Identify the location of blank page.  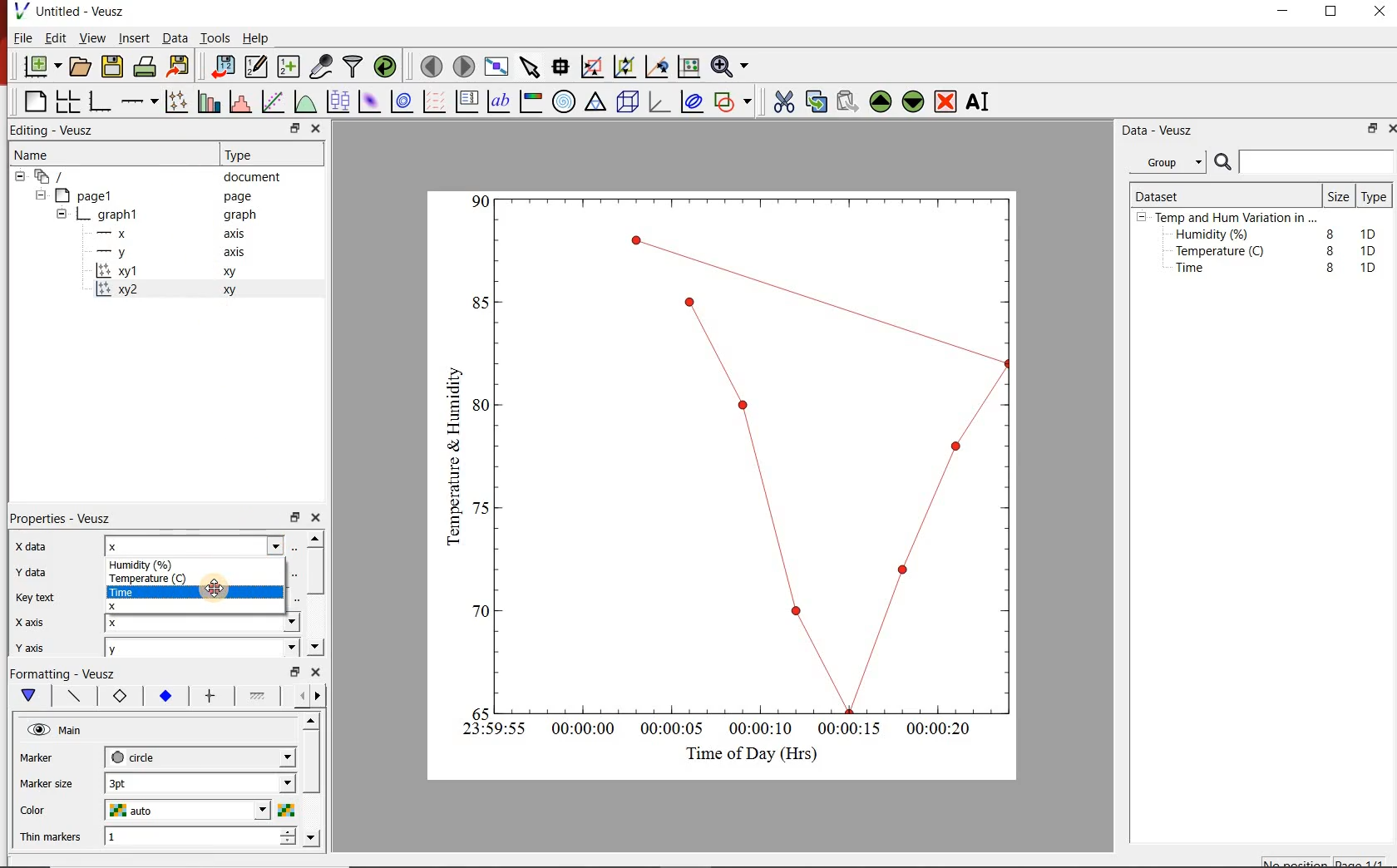
(33, 100).